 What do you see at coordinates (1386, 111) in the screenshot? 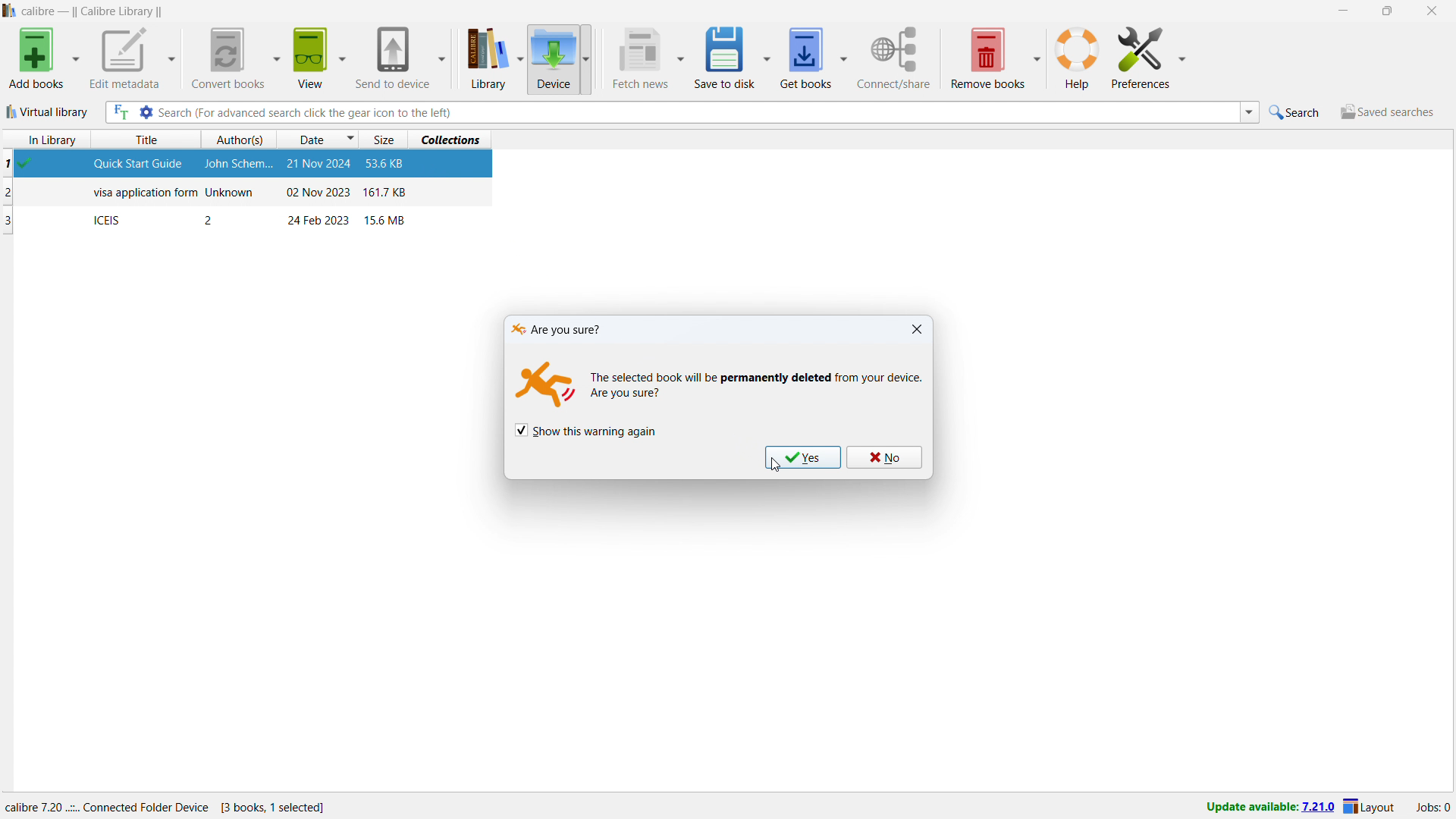
I see `saved searches` at bounding box center [1386, 111].